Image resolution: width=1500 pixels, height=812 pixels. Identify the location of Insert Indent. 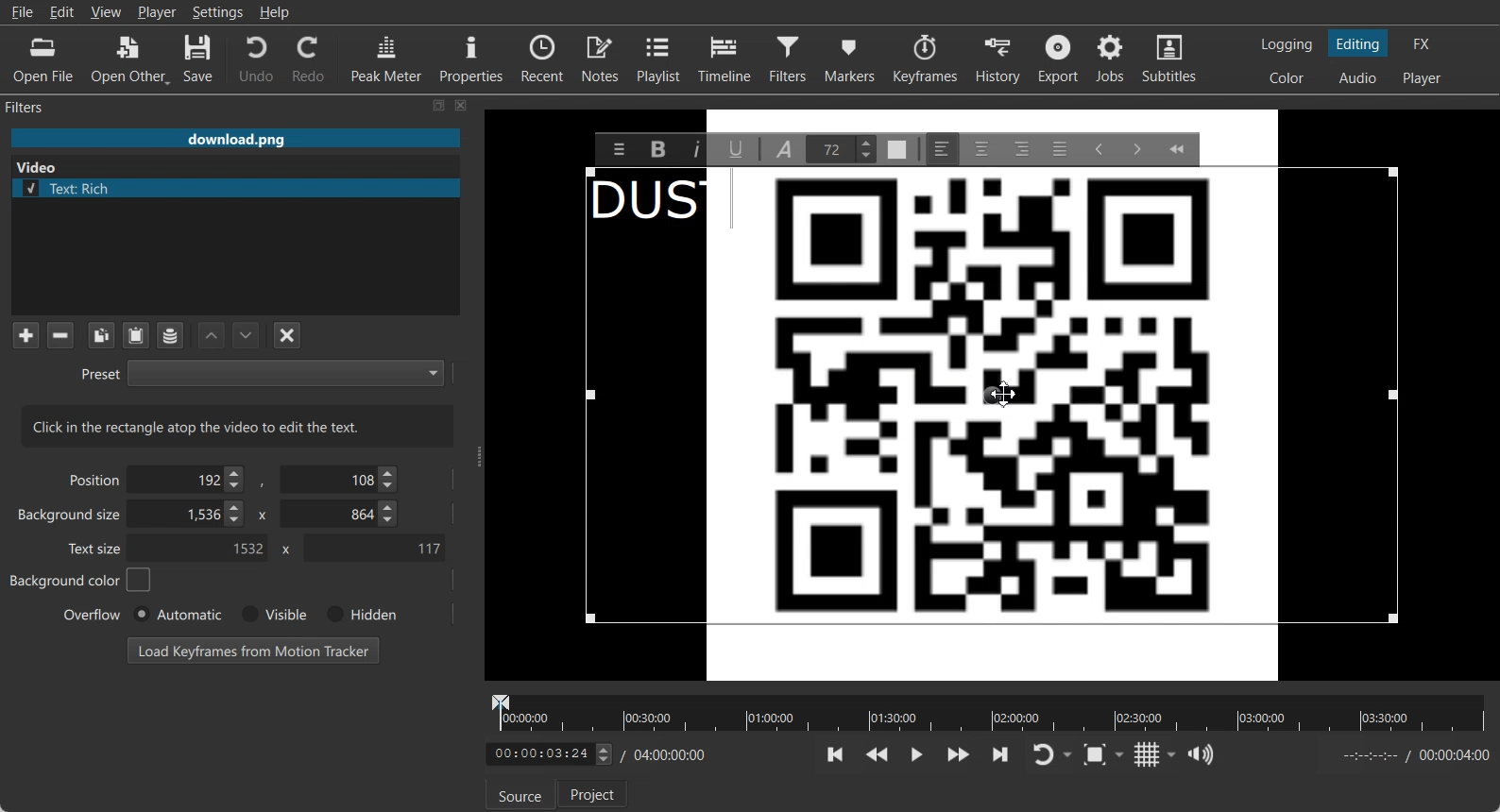
(1135, 148).